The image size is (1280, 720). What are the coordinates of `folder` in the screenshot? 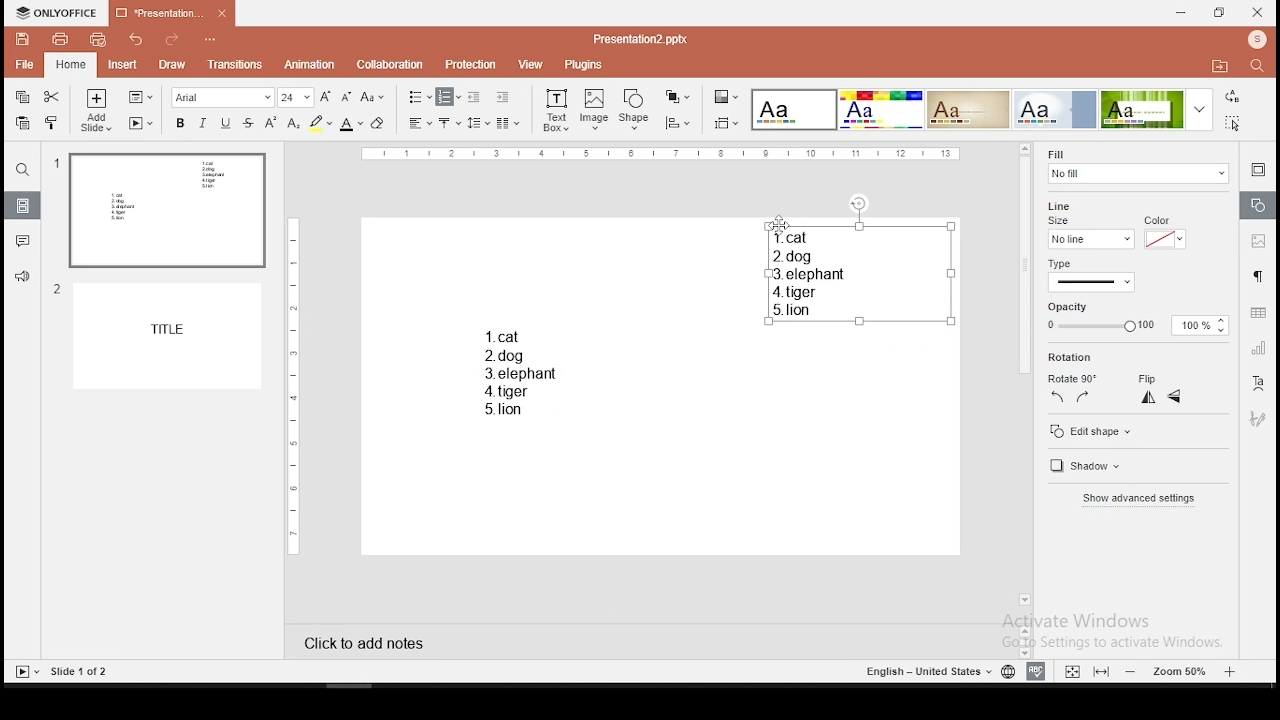 It's located at (1220, 65).